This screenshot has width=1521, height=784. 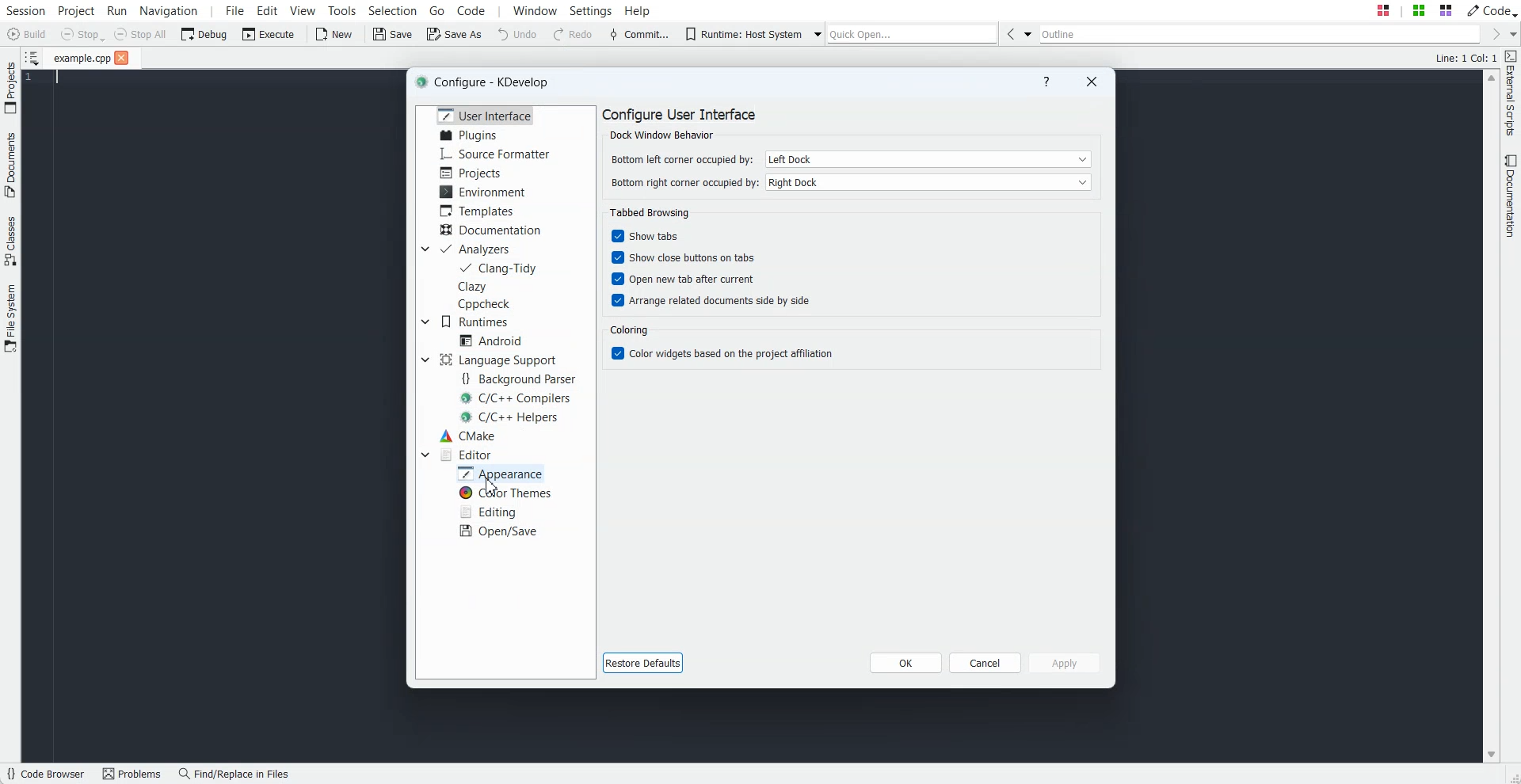 What do you see at coordinates (75, 10) in the screenshot?
I see `Project` at bounding box center [75, 10].